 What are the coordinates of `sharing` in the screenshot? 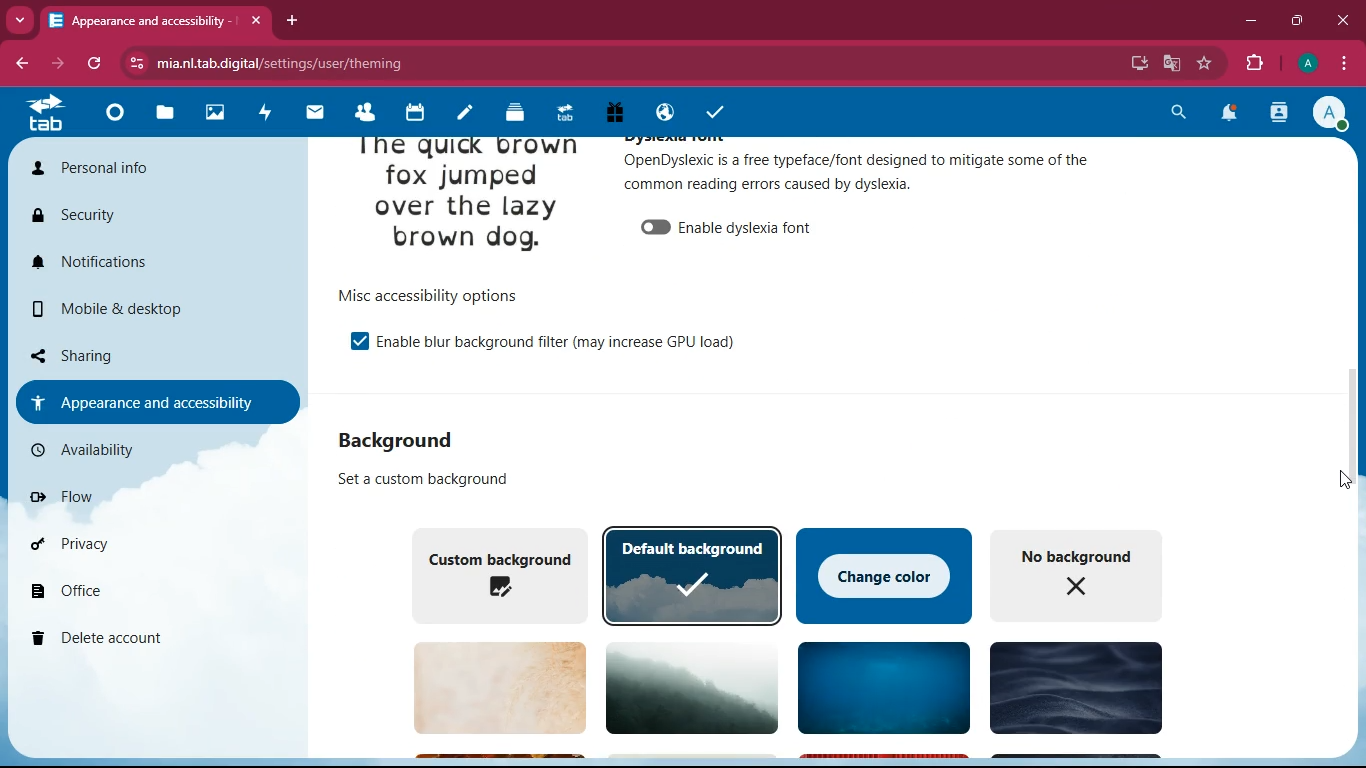 It's located at (149, 353).